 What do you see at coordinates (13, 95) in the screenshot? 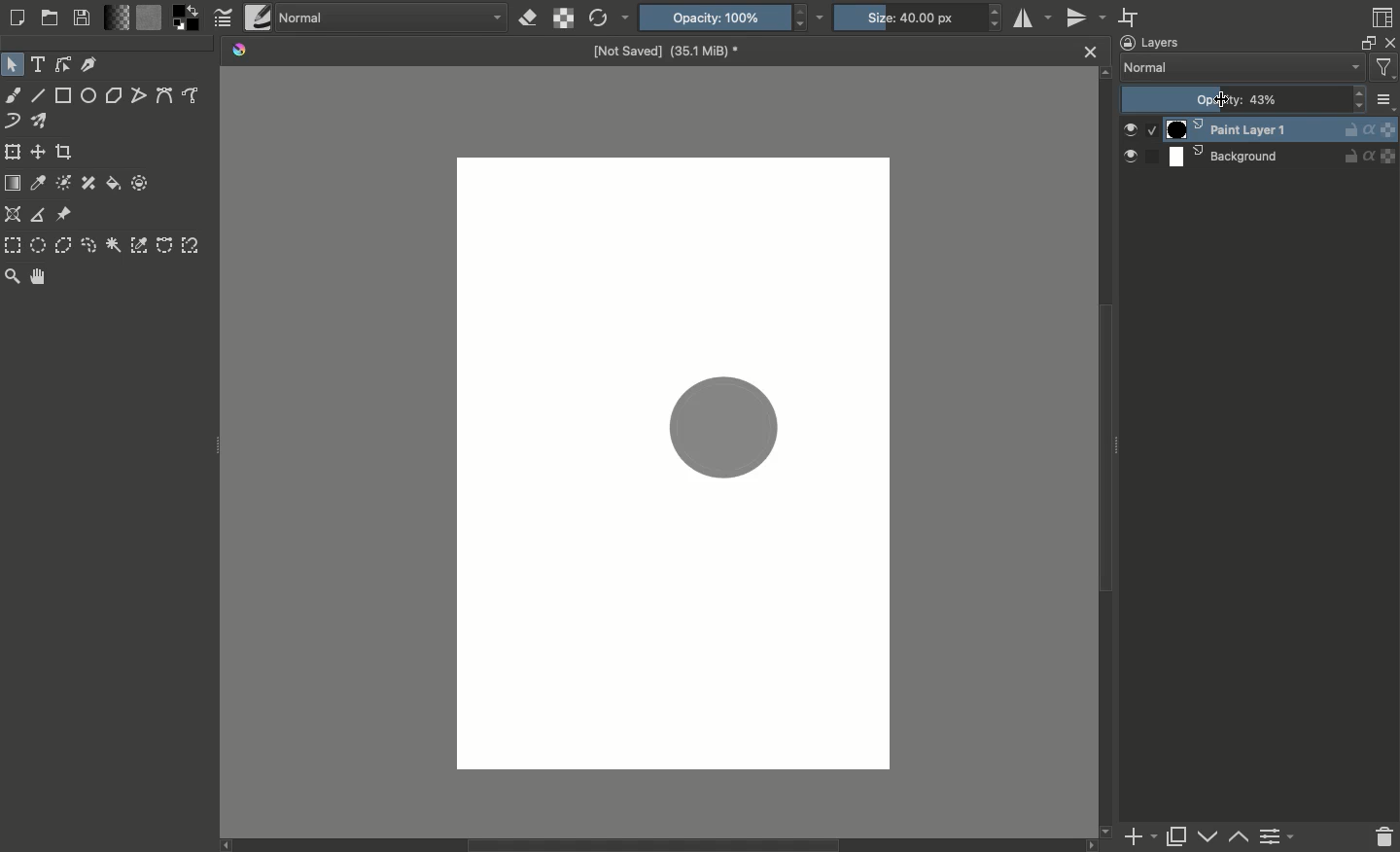
I see `Freehand brush tool` at bounding box center [13, 95].